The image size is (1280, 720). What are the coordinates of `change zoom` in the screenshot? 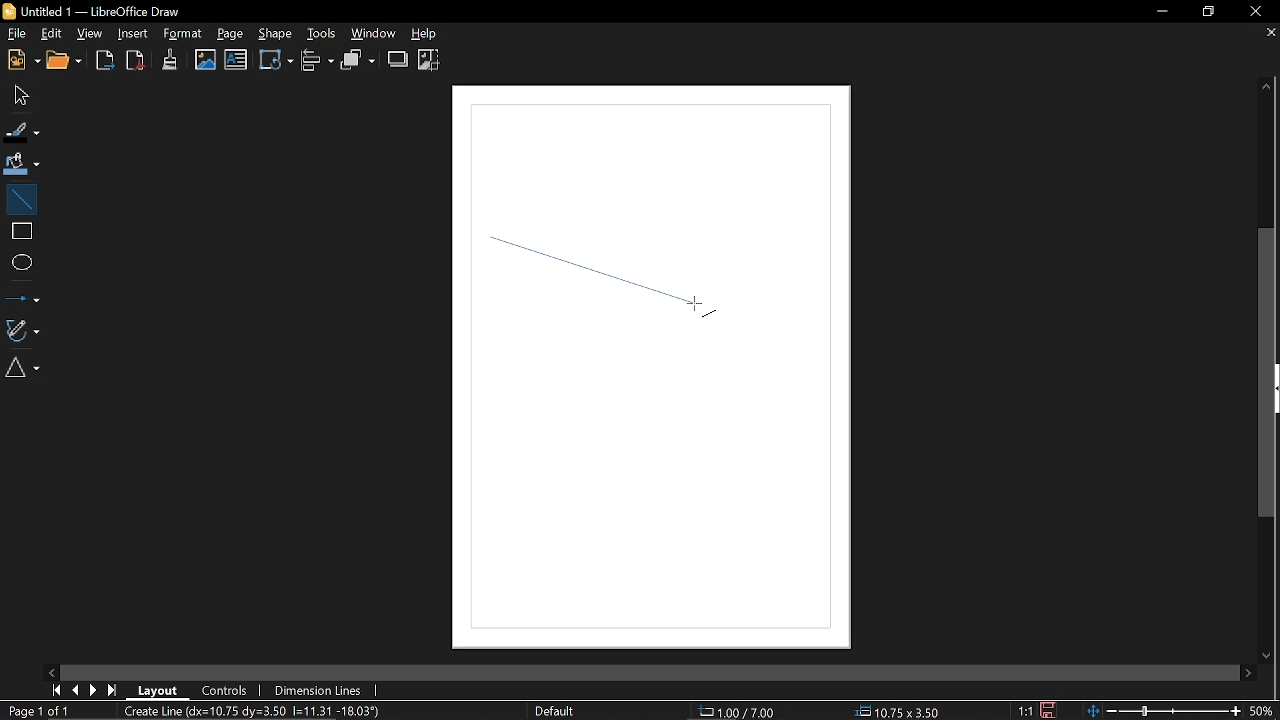 It's located at (1164, 711).